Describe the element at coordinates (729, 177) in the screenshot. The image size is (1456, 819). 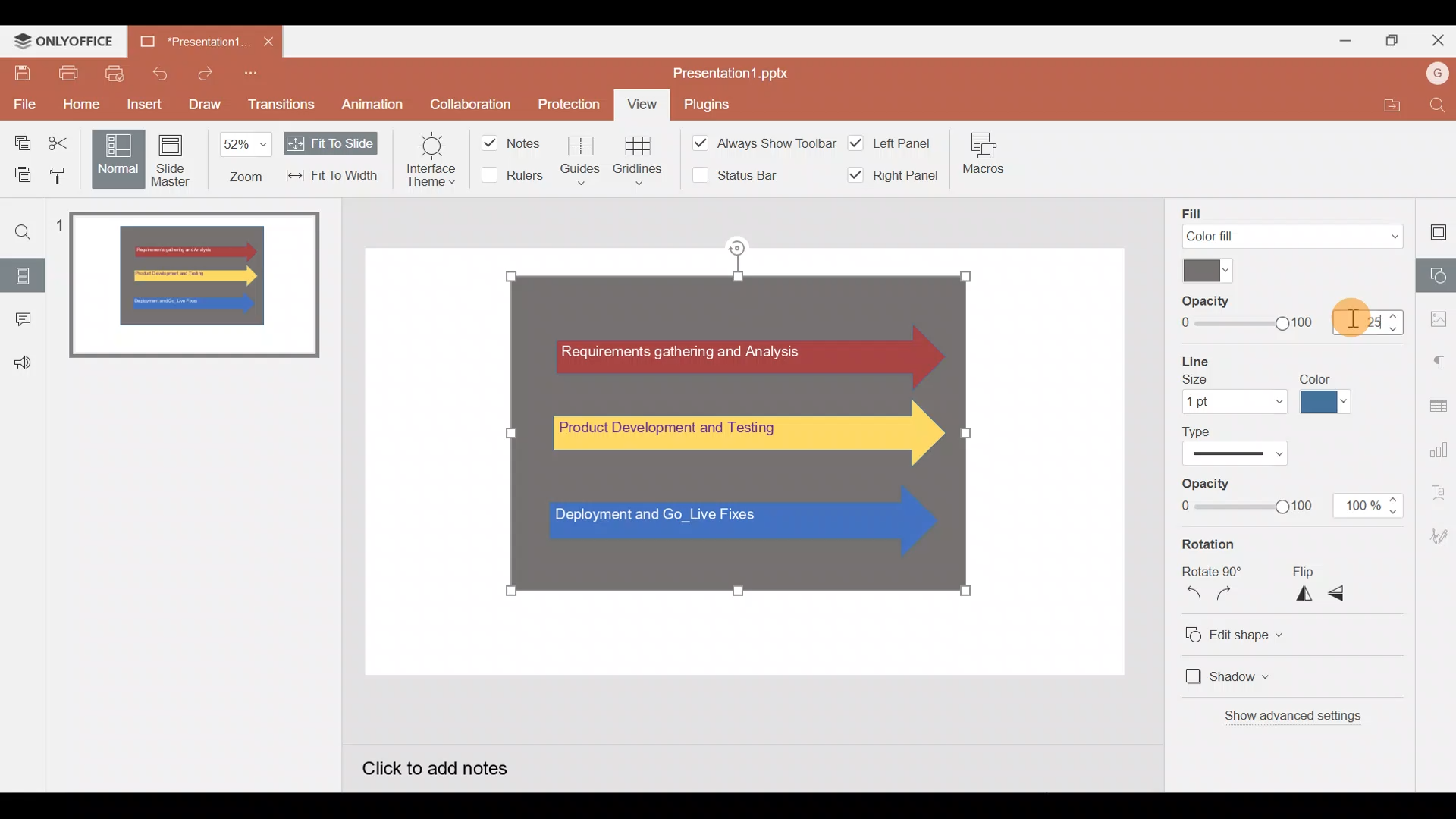
I see `Status bar` at that location.